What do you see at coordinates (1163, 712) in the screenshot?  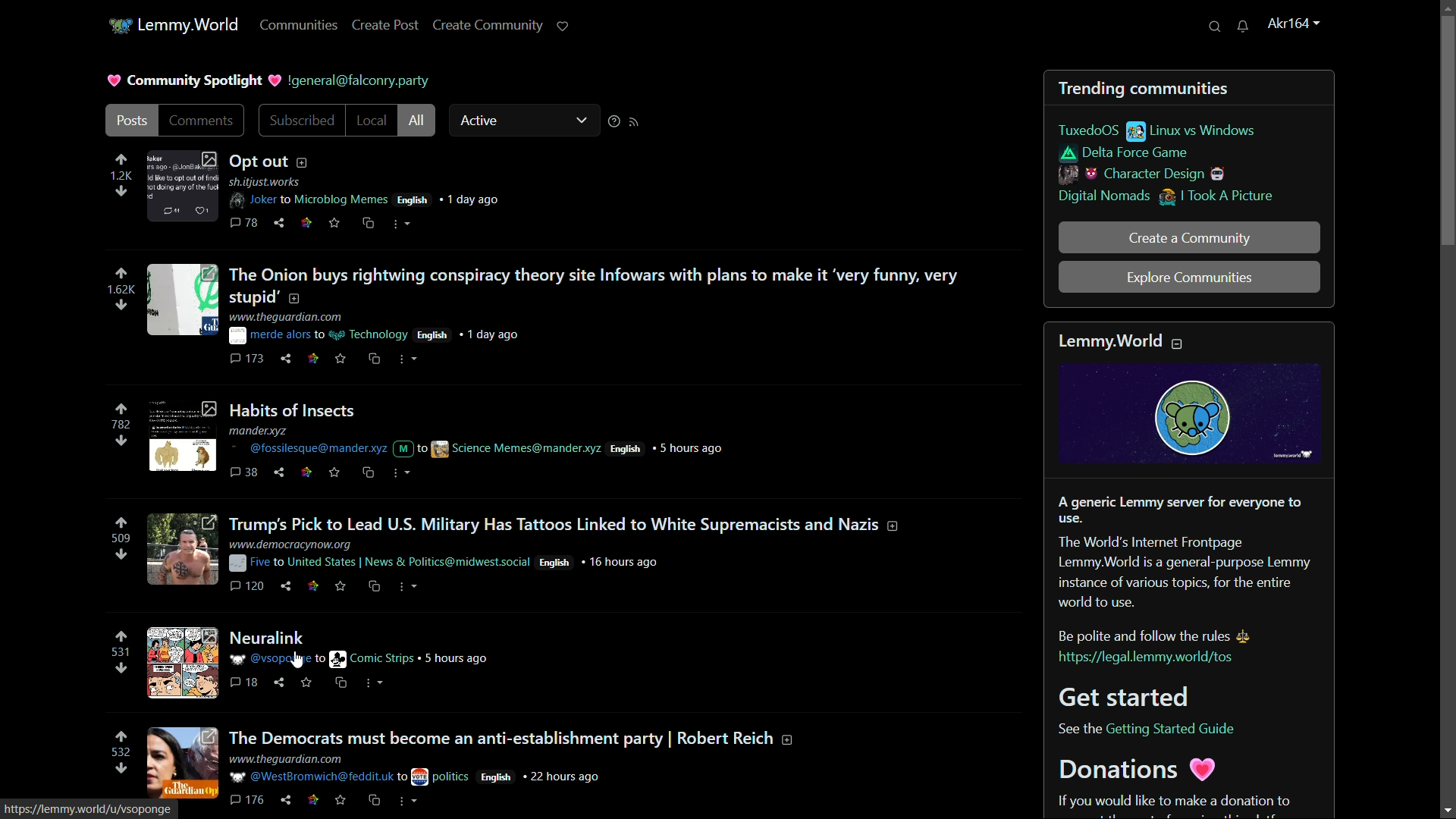 I see `text` at bounding box center [1163, 712].